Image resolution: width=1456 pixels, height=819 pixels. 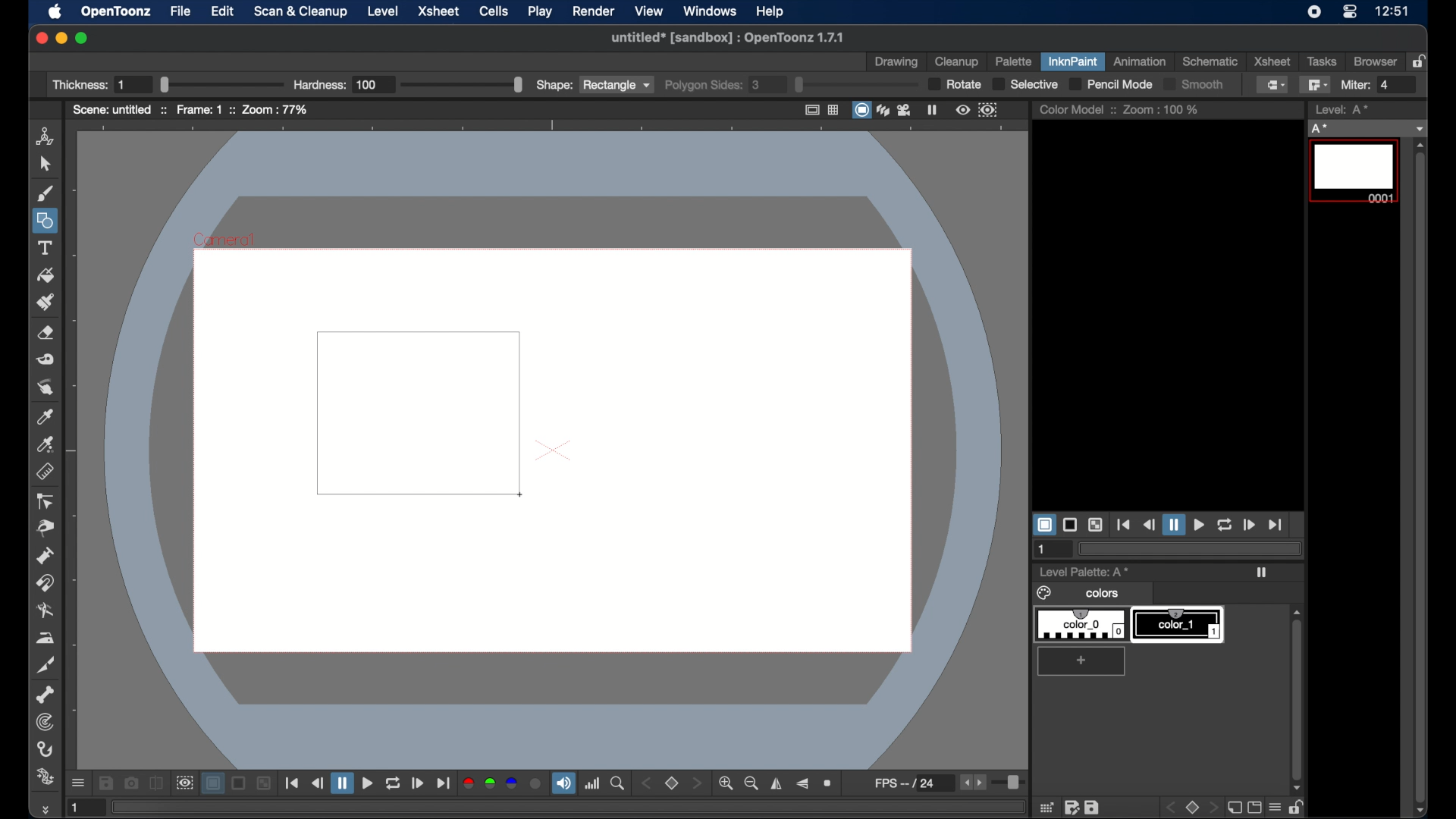 What do you see at coordinates (1083, 661) in the screenshot?
I see `add color` at bounding box center [1083, 661].